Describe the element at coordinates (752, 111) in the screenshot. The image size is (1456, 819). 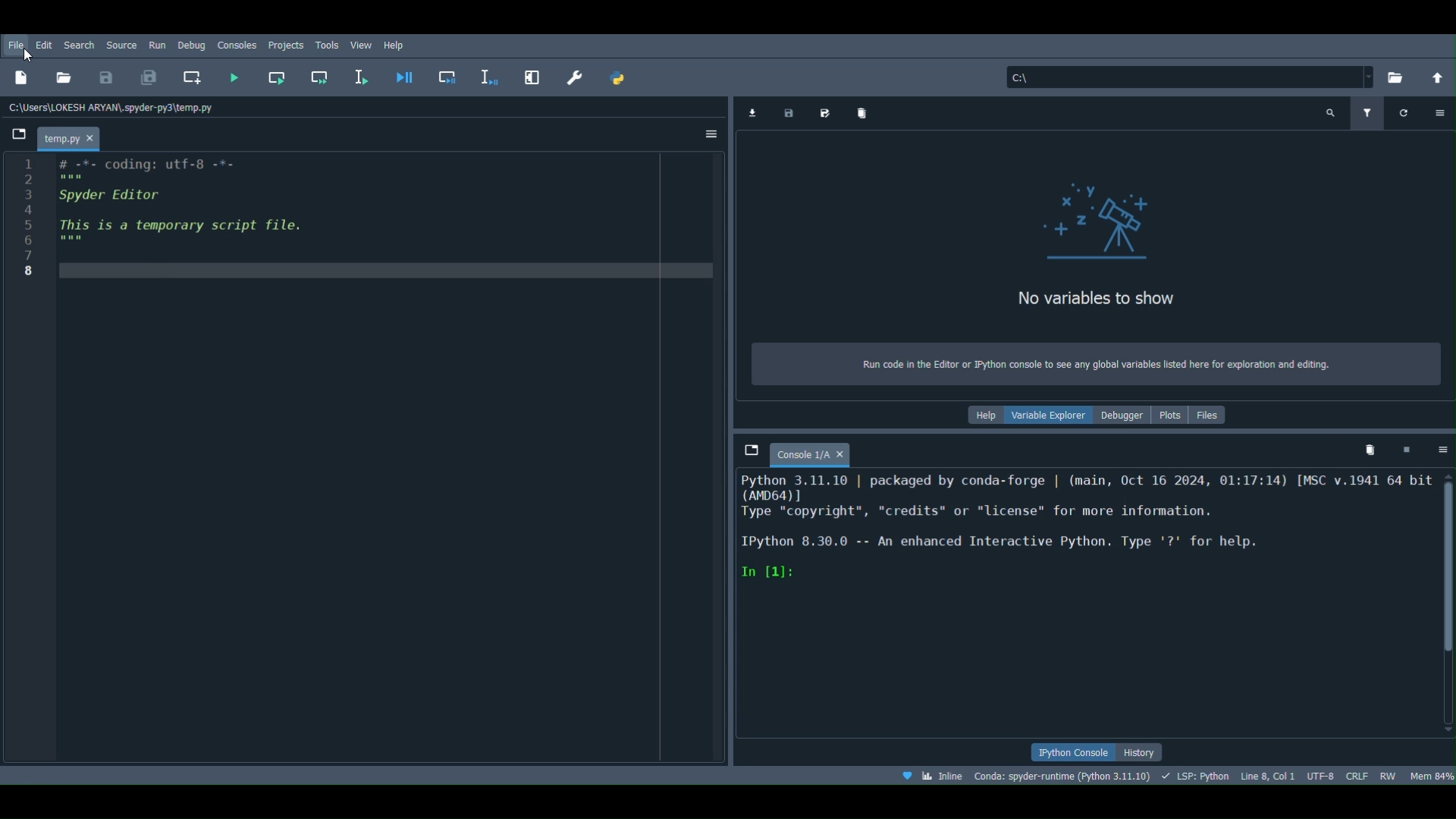
I see `Import data` at that location.